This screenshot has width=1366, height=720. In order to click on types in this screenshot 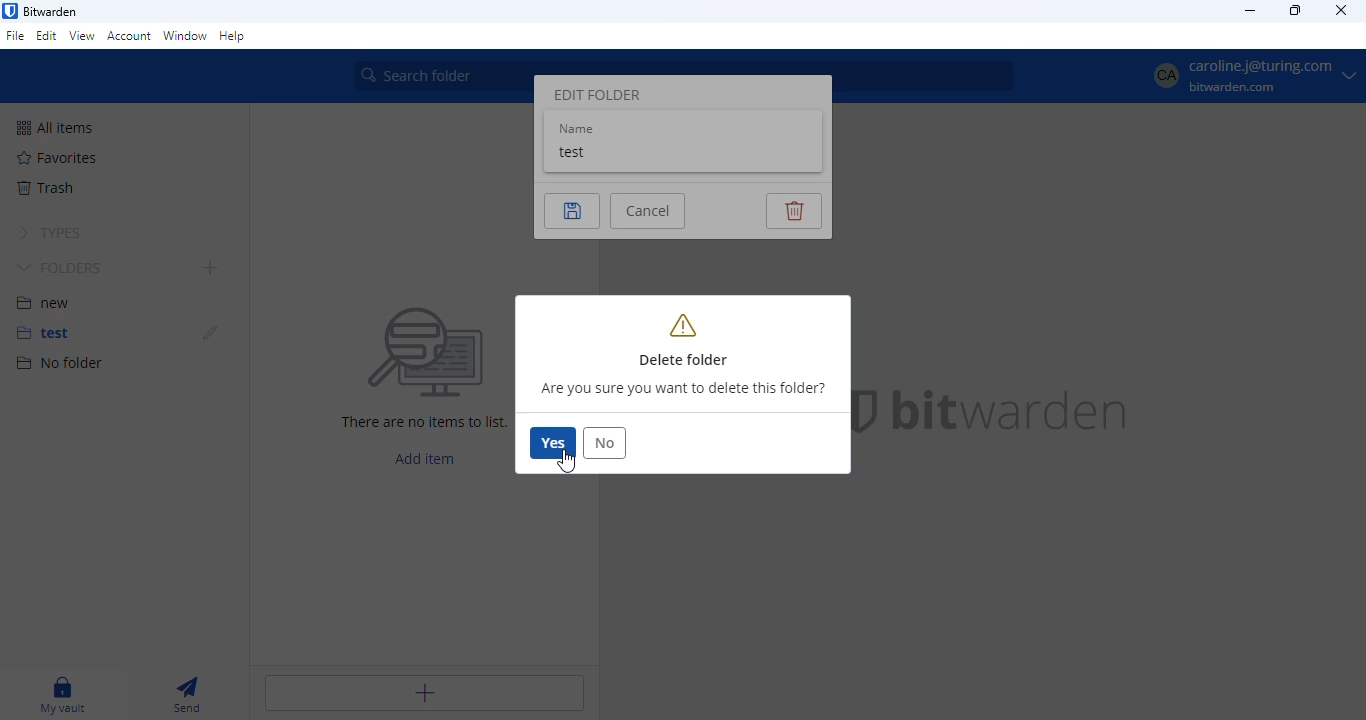, I will do `click(47, 232)`.